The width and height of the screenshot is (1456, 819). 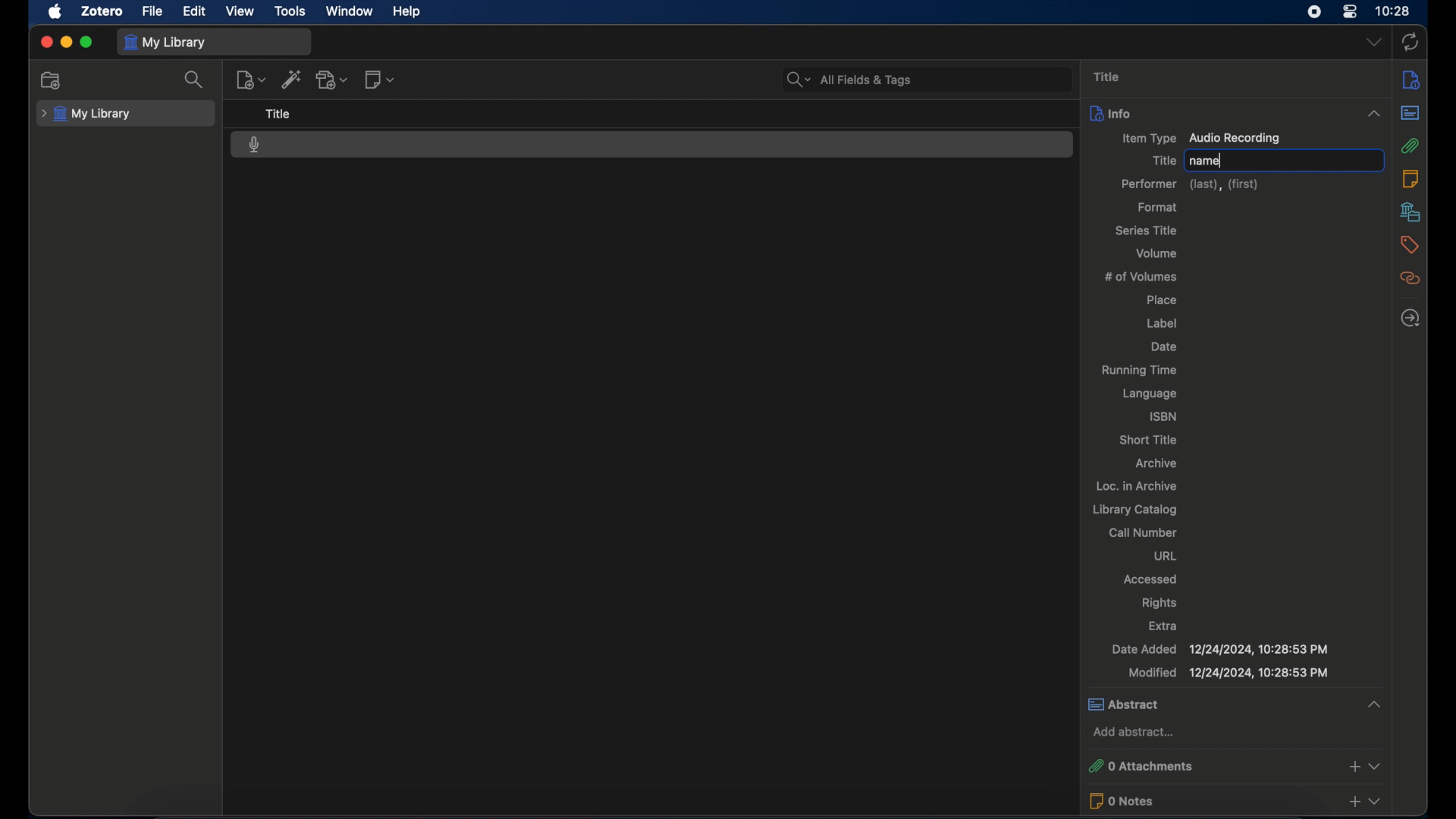 What do you see at coordinates (292, 79) in the screenshot?
I see `add item by identifier` at bounding box center [292, 79].